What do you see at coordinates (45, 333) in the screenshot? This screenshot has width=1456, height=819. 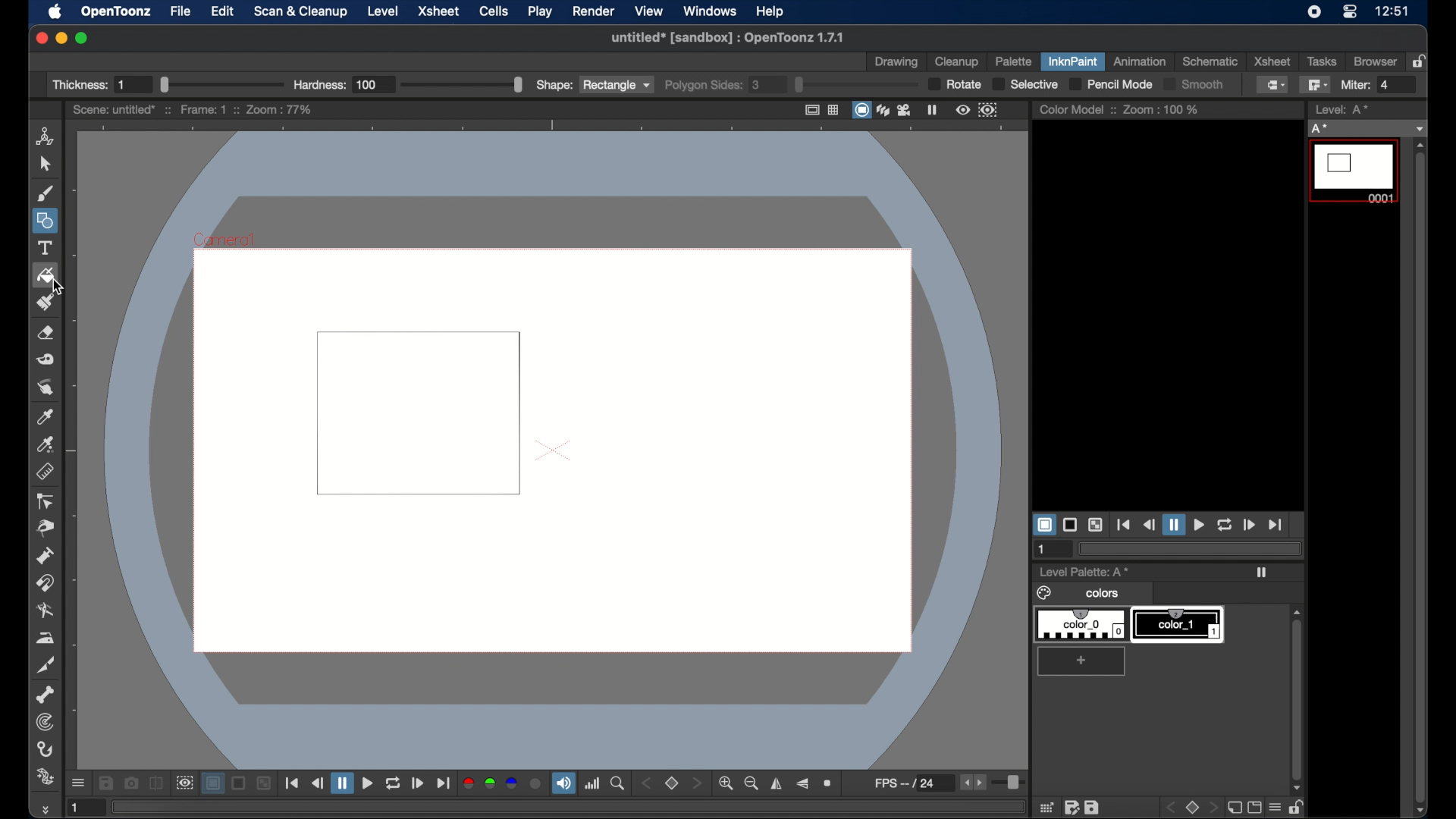 I see `eraser tool` at bounding box center [45, 333].